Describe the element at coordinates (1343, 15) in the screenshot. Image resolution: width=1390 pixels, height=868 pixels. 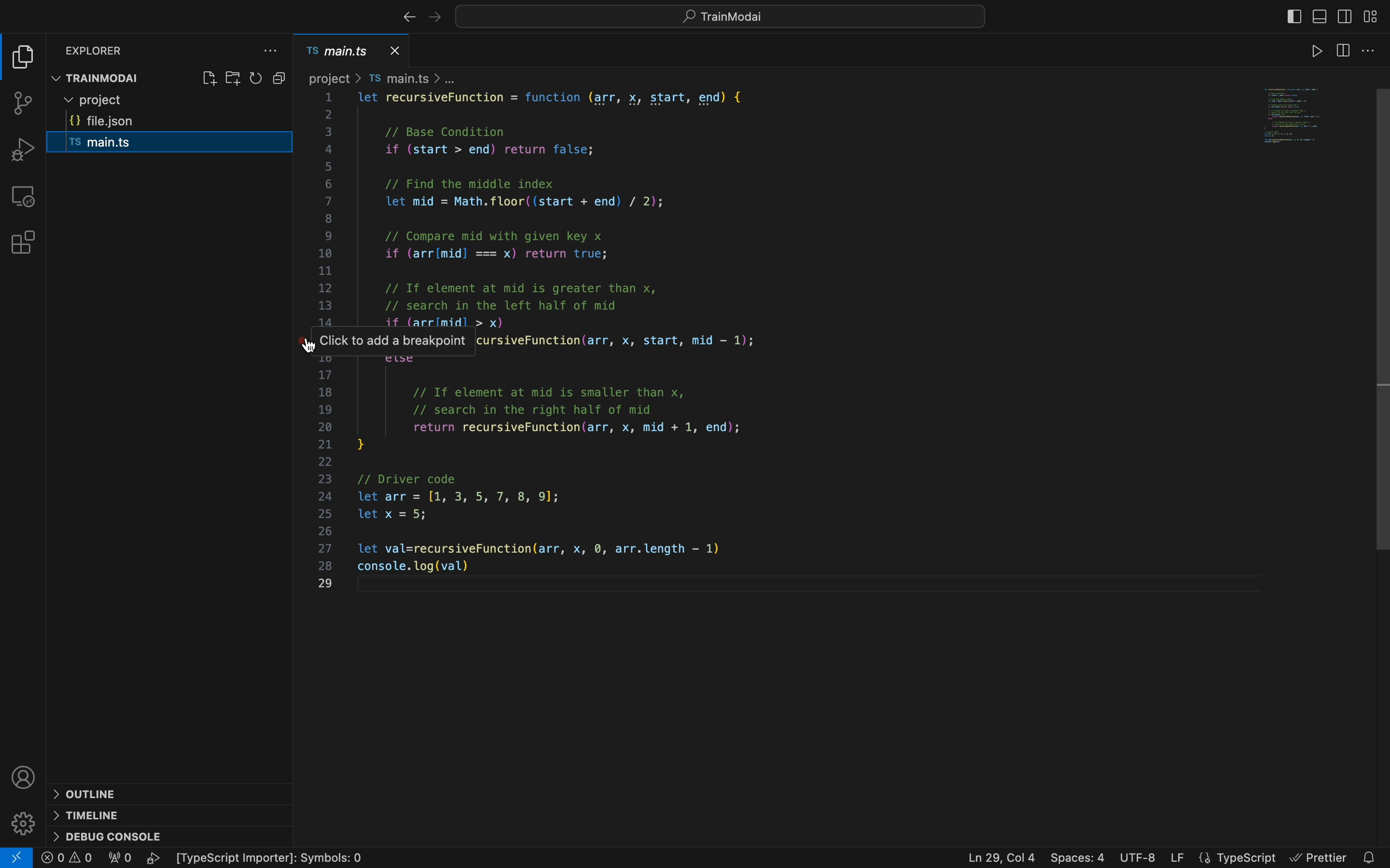
I see `` at that location.